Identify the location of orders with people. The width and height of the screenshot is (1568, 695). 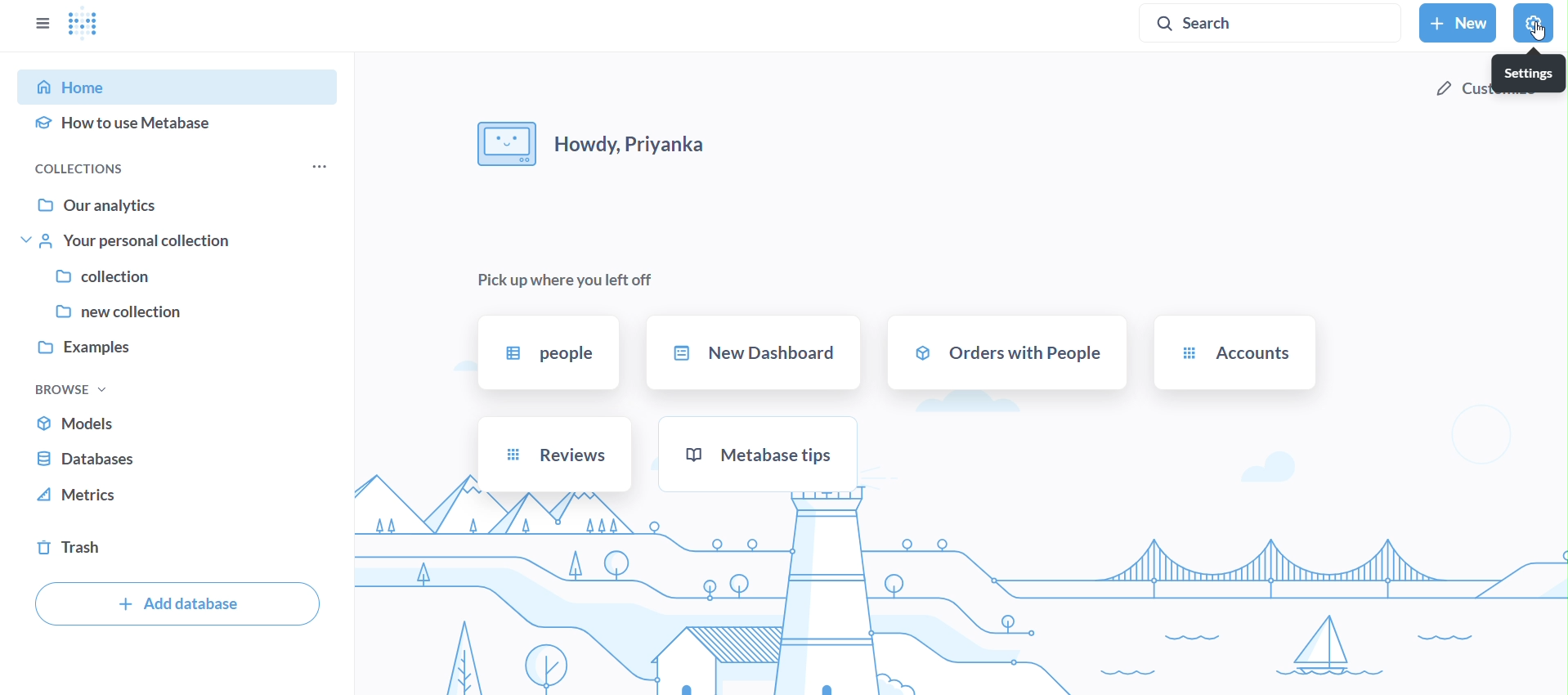
(1006, 352).